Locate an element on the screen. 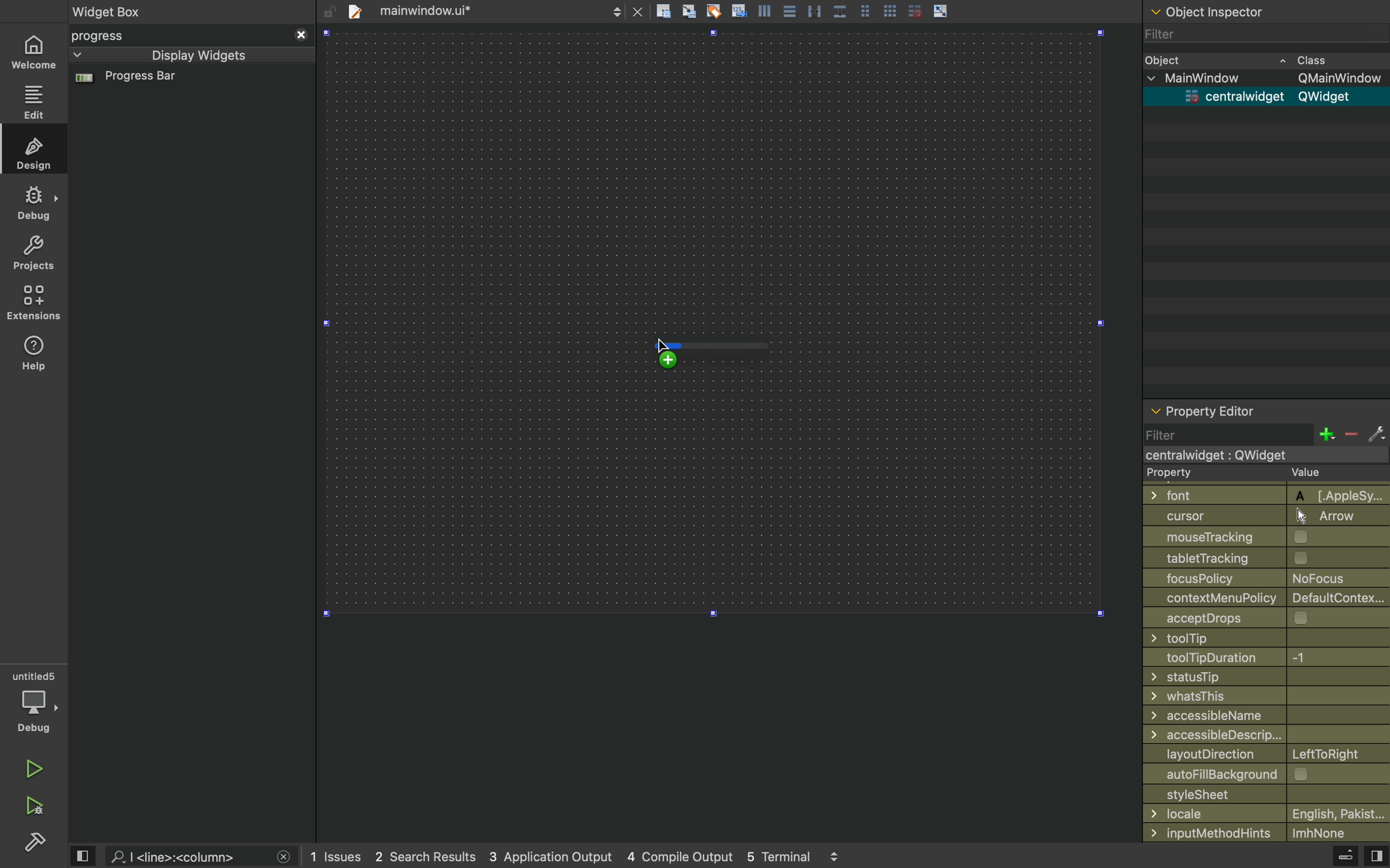 The image size is (1390, 868). font is located at coordinates (1260, 494).